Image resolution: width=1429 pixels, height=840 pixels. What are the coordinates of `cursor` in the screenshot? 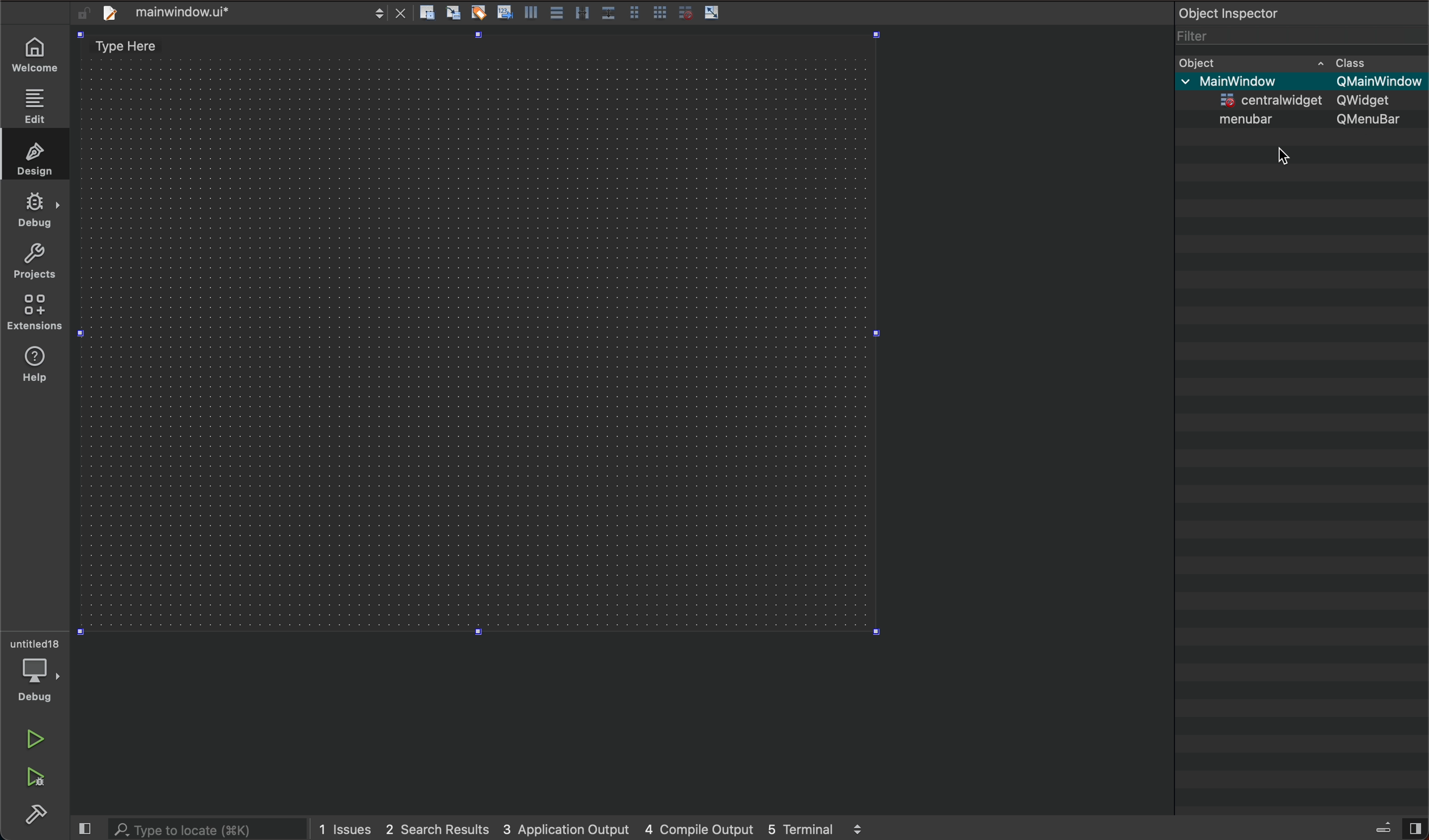 It's located at (1282, 154).